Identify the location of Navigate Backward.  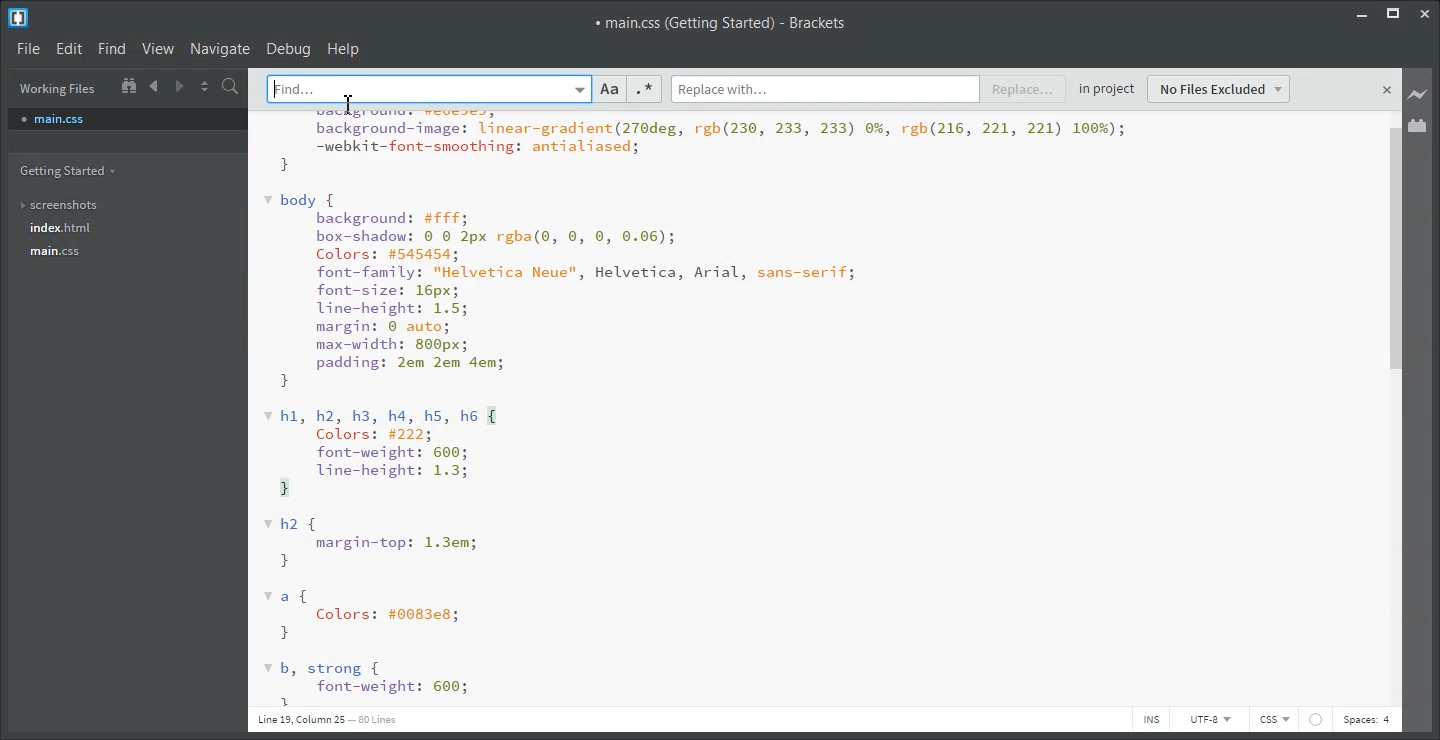
(156, 85).